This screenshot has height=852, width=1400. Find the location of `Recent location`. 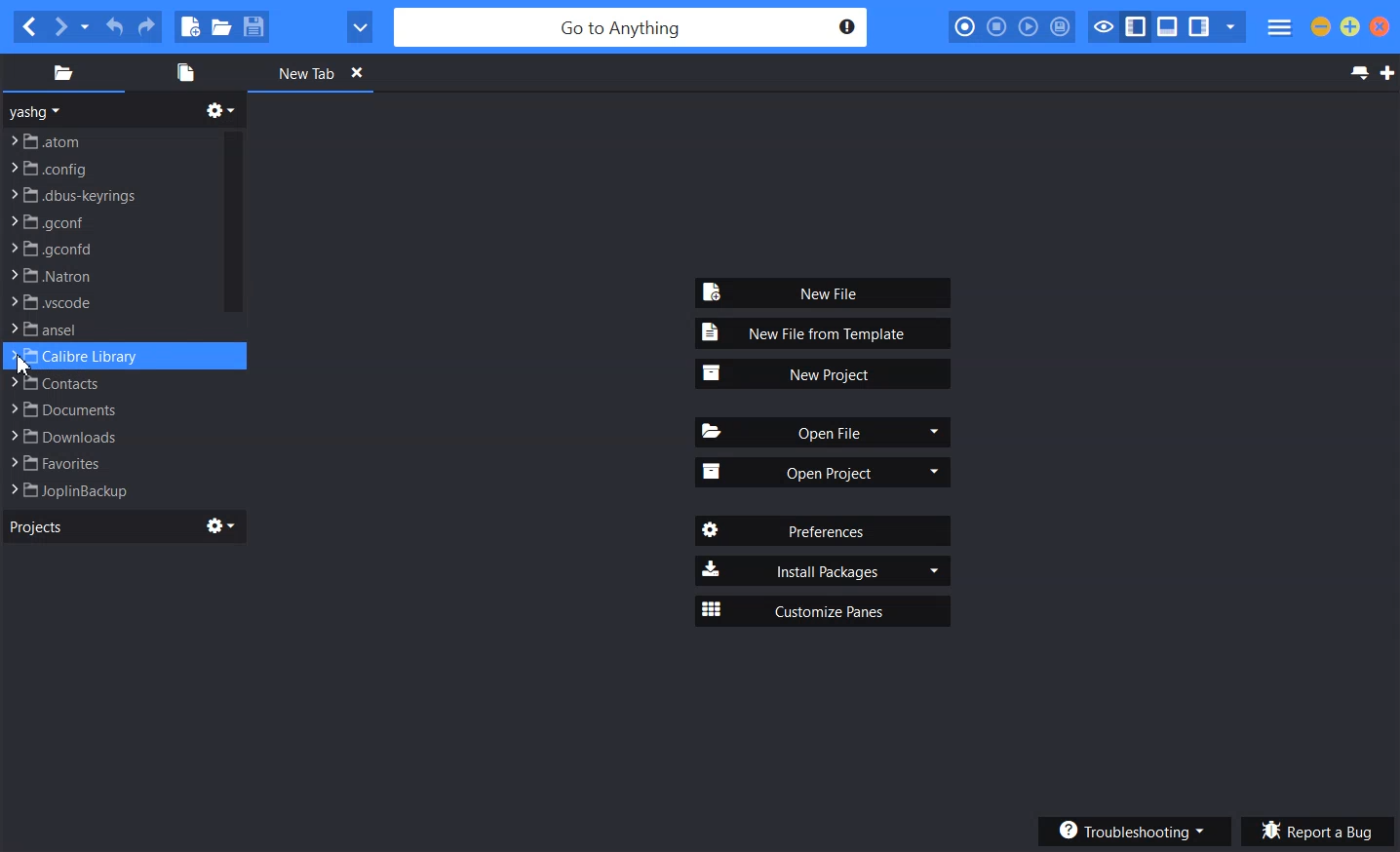

Recent location is located at coordinates (85, 27).